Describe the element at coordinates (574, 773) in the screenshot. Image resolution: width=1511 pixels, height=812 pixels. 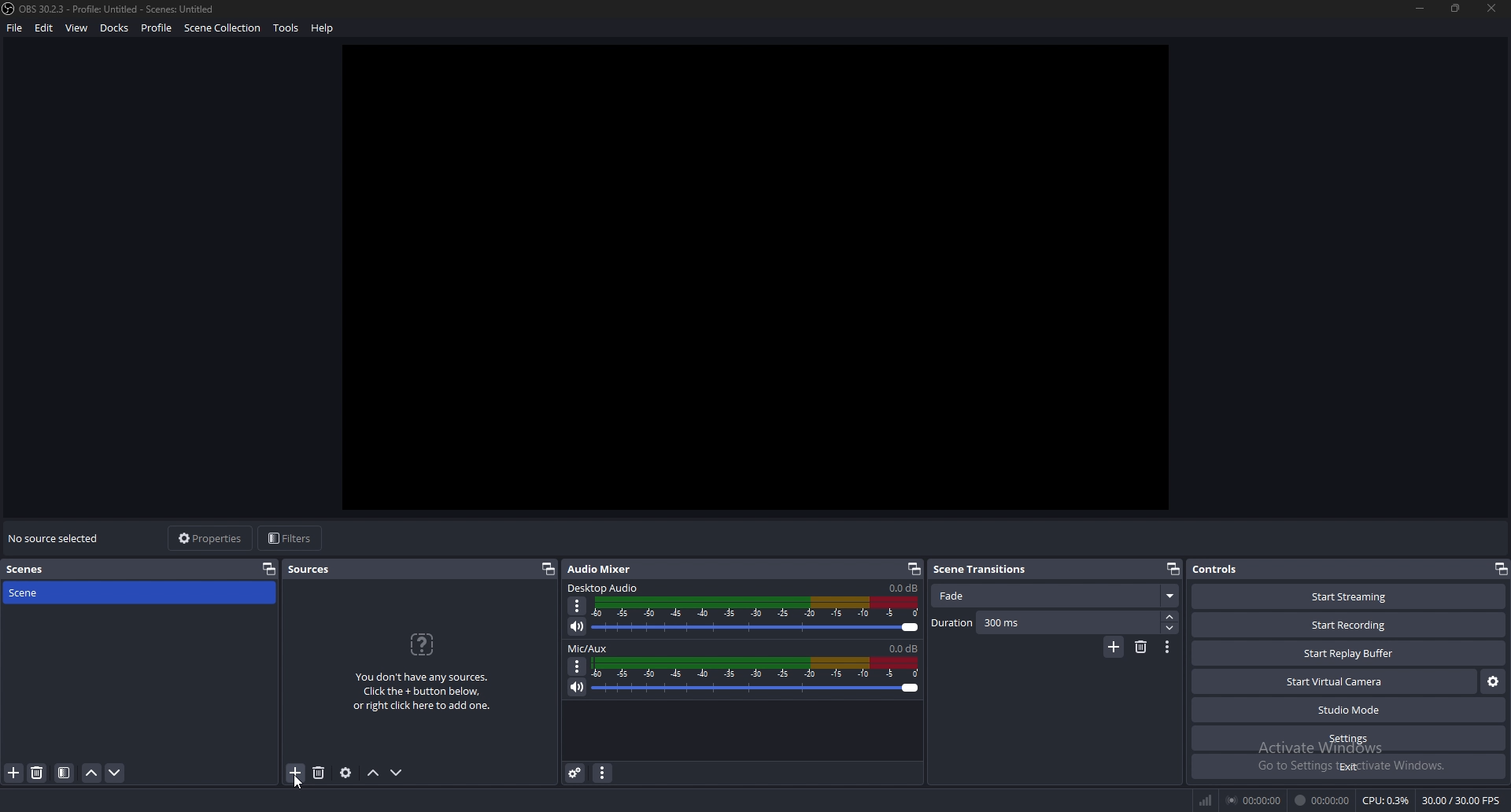
I see `advanced audio properties` at that location.